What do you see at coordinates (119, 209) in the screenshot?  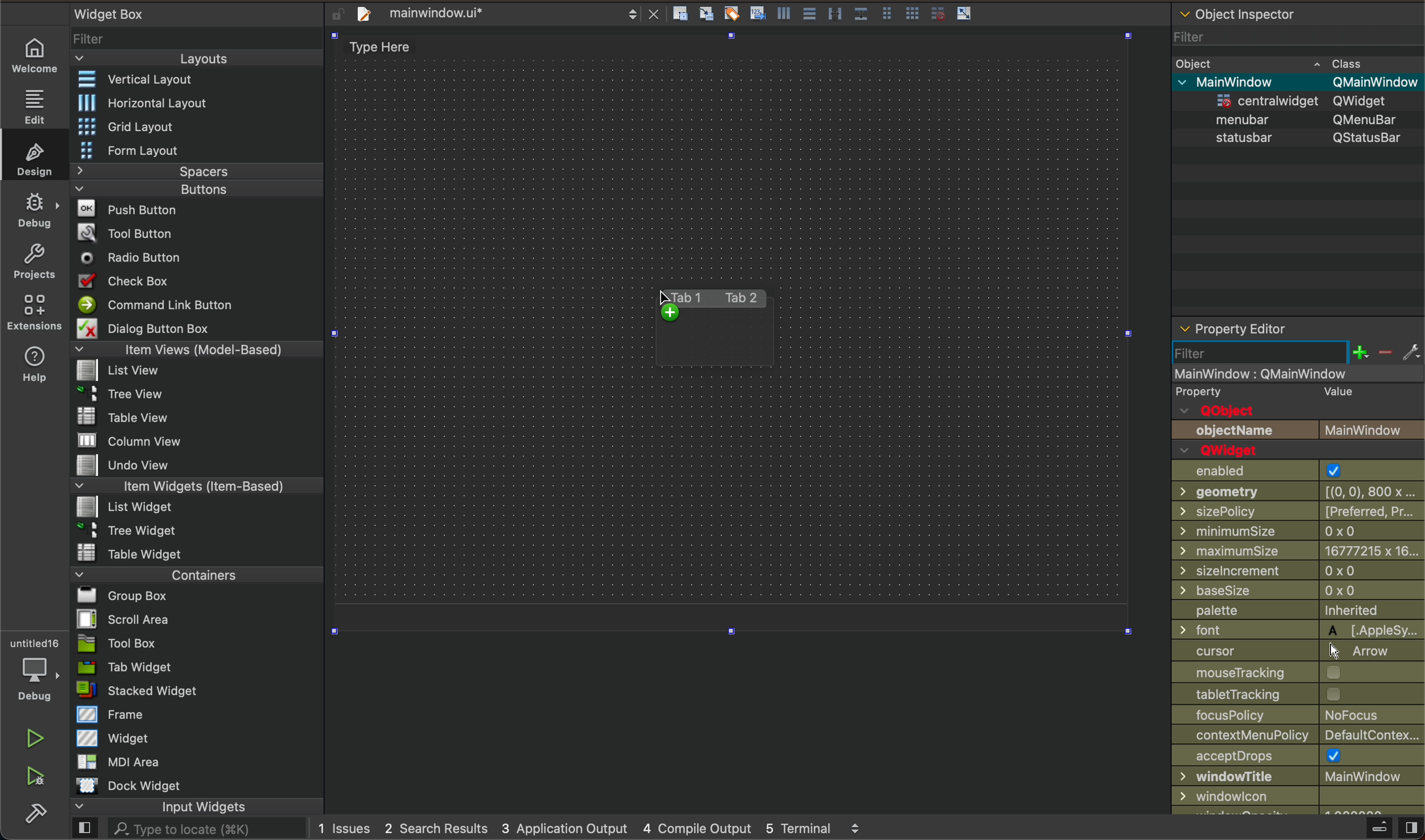 I see `Push Button` at bounding box center [119, 209].